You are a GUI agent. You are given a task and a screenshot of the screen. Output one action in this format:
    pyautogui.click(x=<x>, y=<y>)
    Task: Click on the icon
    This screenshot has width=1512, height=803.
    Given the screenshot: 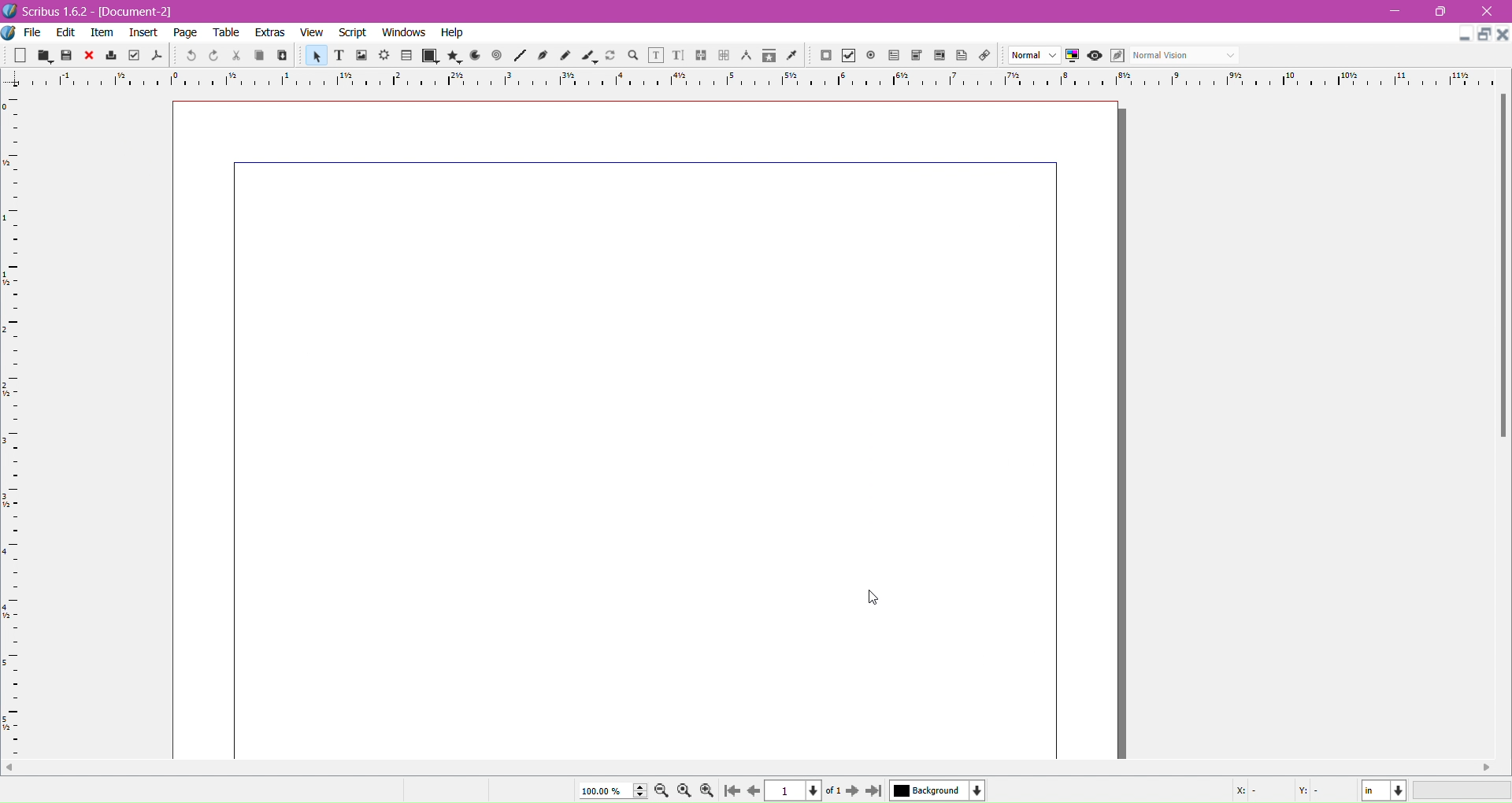 What is the action you would take?
    pyautogui.click(x=869, y=54)
    